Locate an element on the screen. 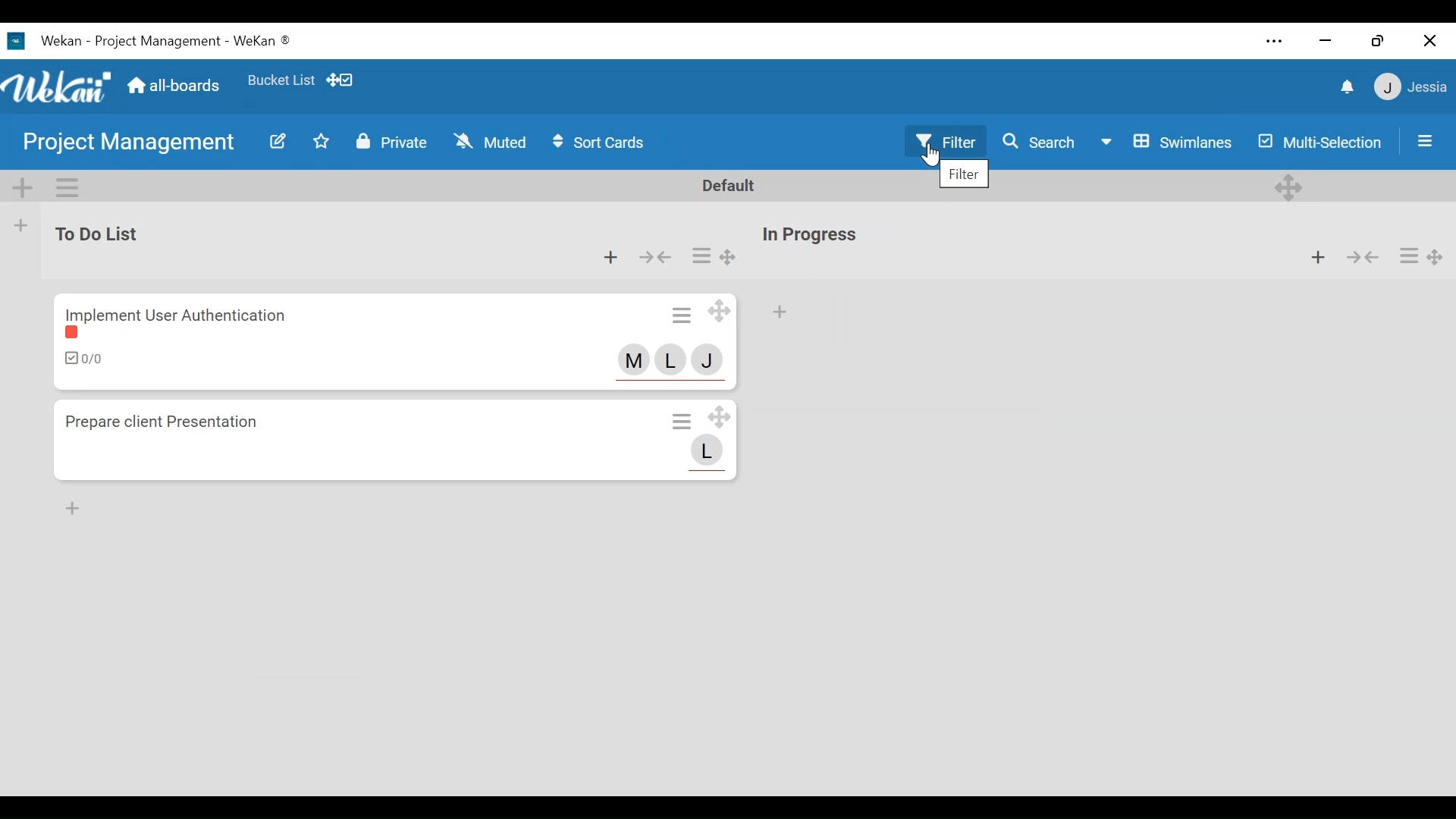  Close is located at coordinates (1429, 39).